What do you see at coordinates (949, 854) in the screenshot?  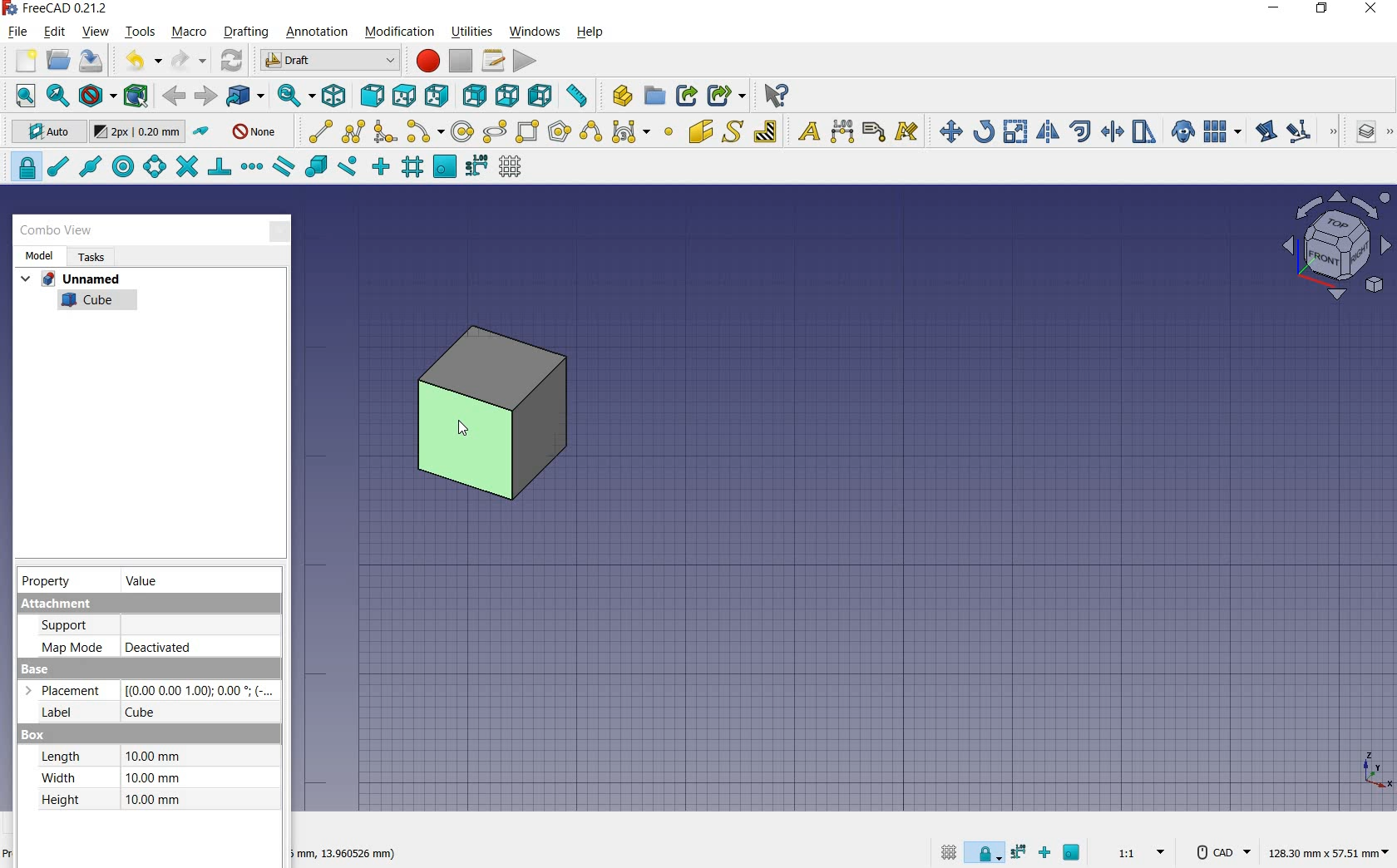 I see `toggle grid` at bounding box center [949, 854].